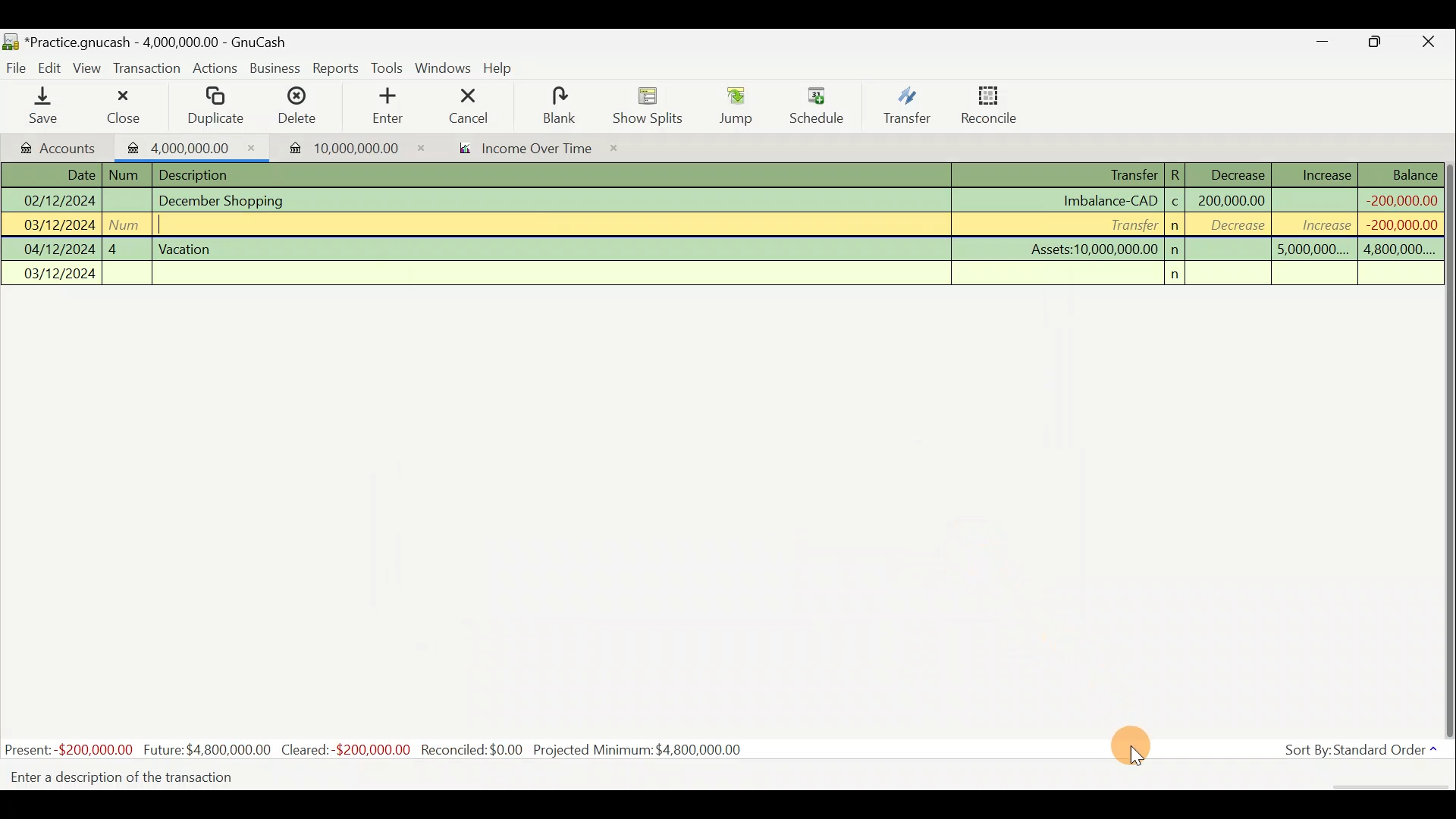 The width and height of the screenshot is (1456, 819). Describe the element at coordinates (128, 224) in the screenshot. I see `num` at that location.